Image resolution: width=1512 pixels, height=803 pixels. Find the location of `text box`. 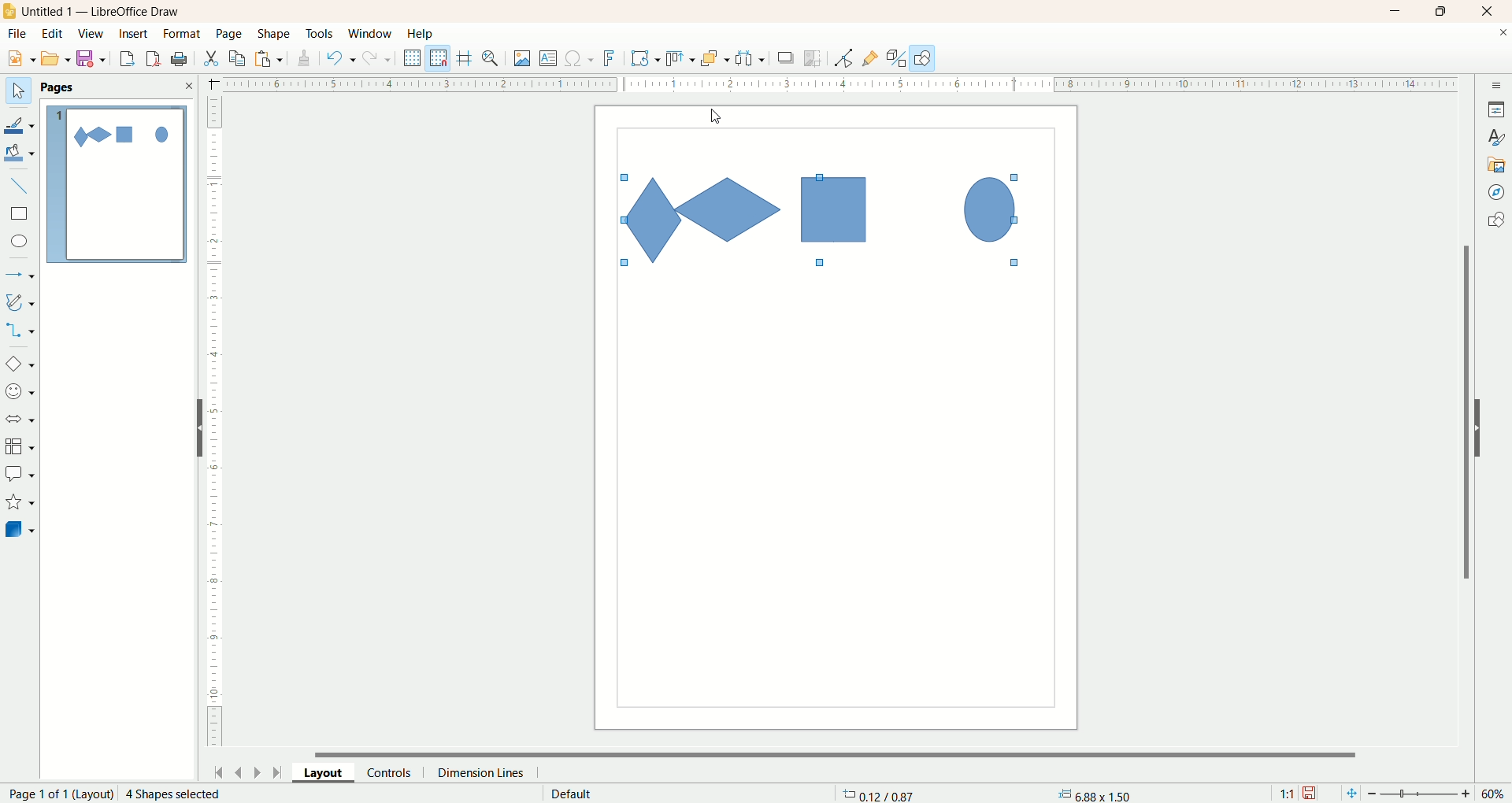

text box is located at coordinates (550, 60).